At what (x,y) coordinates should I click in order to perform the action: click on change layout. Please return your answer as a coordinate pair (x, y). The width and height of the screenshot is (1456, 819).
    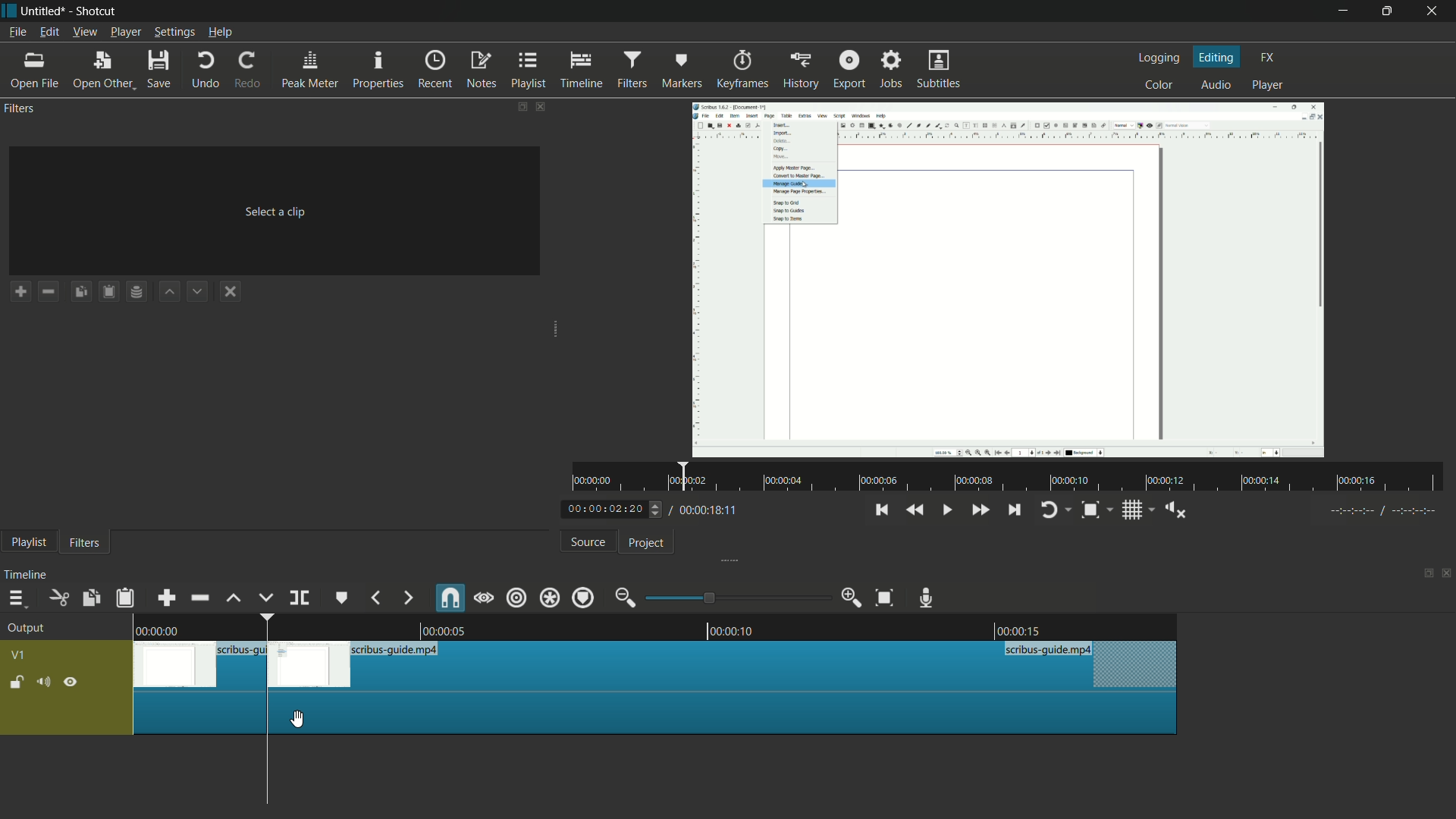
    Looking at the image, I should click on (519, 105).